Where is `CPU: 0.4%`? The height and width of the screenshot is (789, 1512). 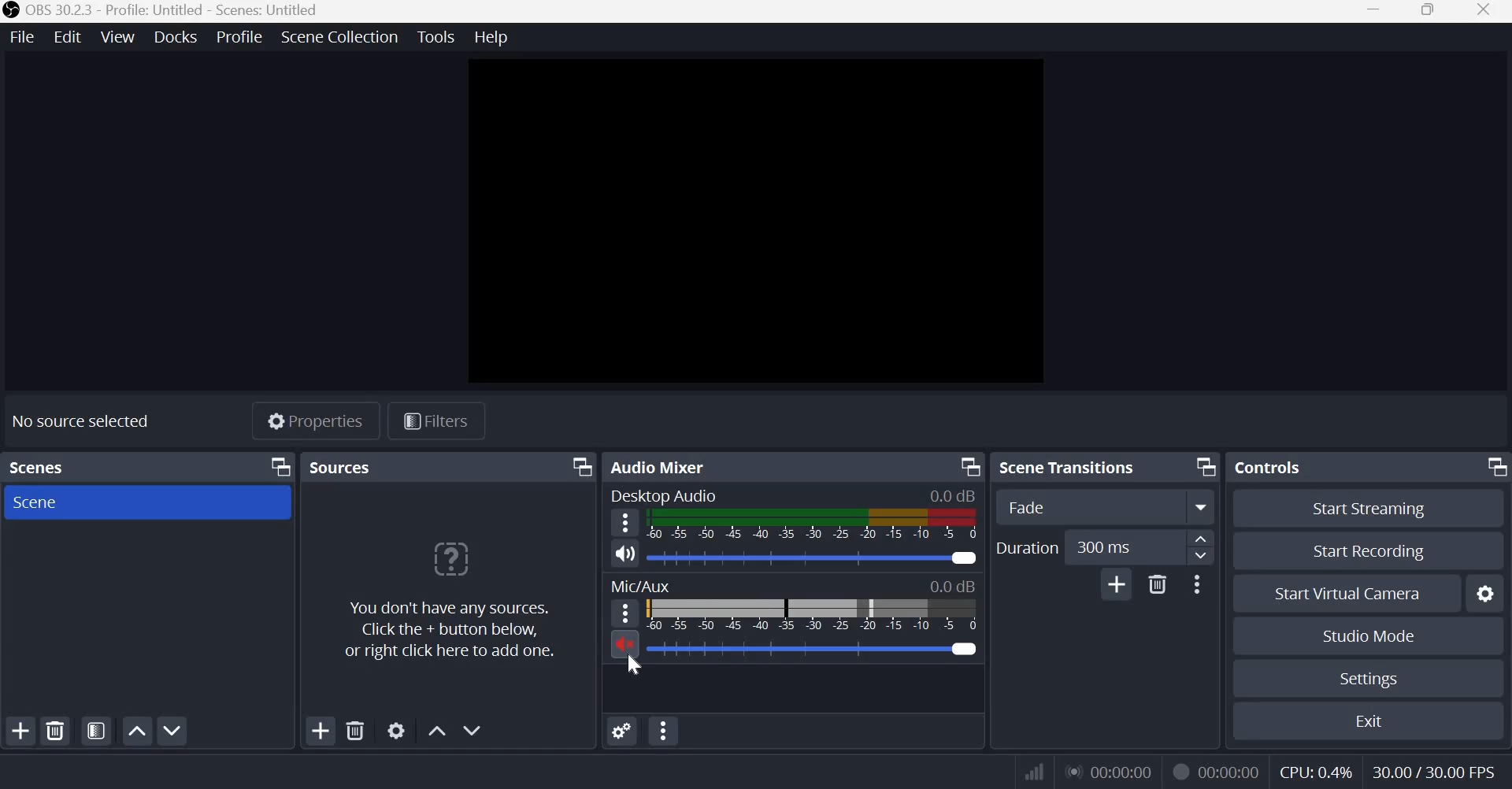 CPU: 0.4% is located at coordinates (1315, 769).